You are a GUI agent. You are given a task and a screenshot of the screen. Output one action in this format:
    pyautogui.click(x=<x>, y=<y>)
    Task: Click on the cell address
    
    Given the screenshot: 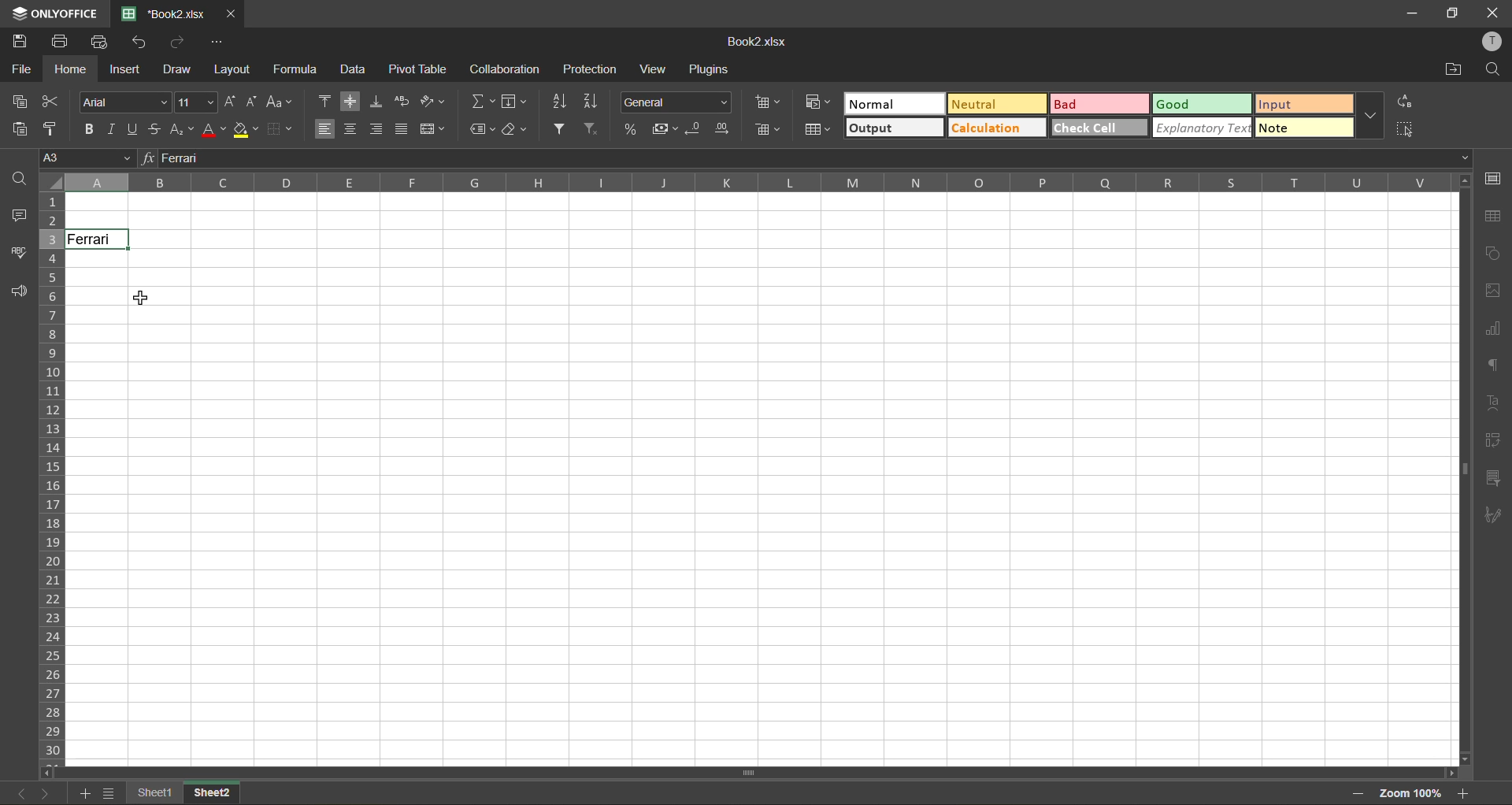 What is the action you would take?
    pyautogui.click(x=86, y=157)
    